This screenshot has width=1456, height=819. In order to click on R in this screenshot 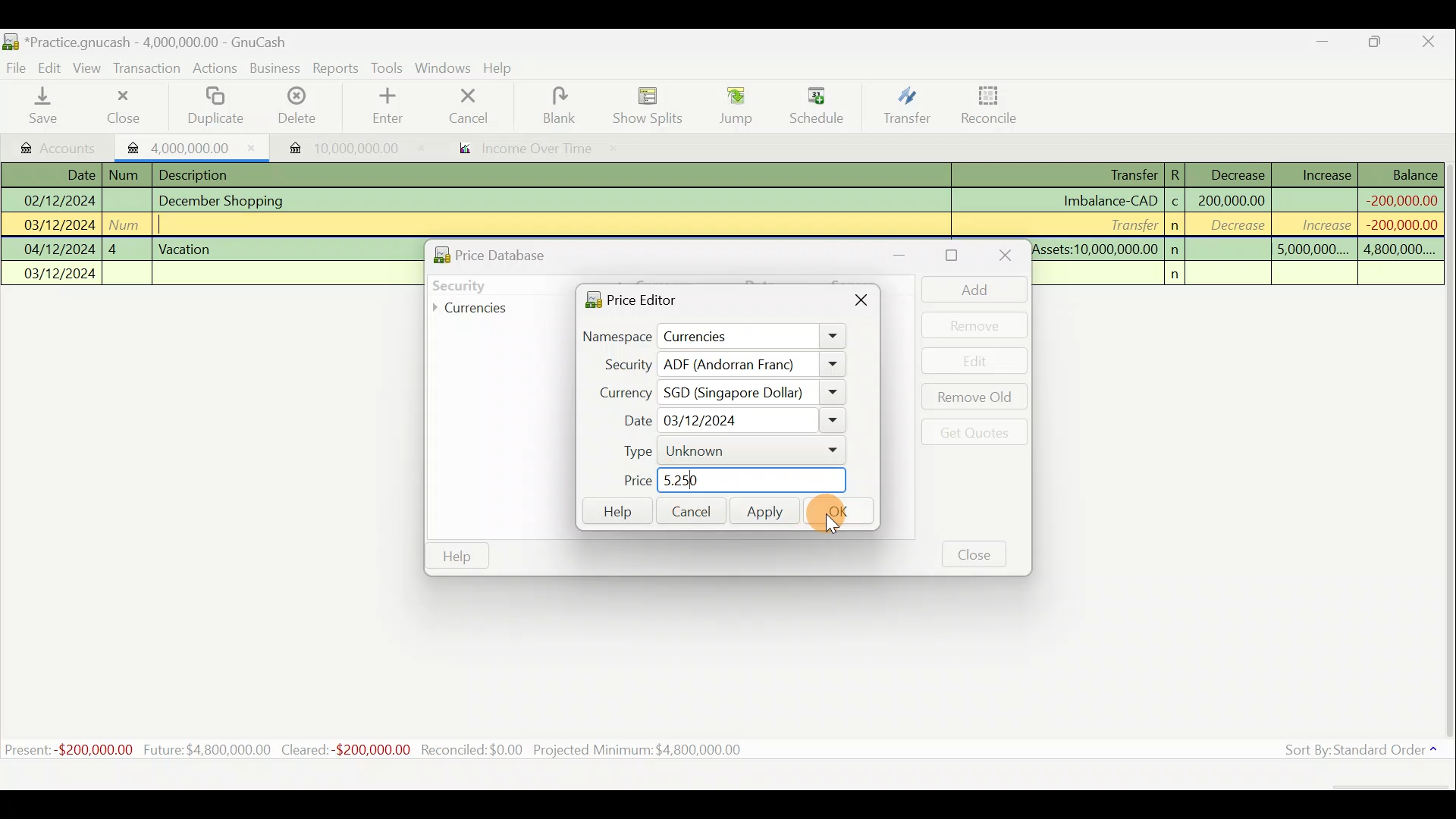, I will do `click(1180, 174)`.